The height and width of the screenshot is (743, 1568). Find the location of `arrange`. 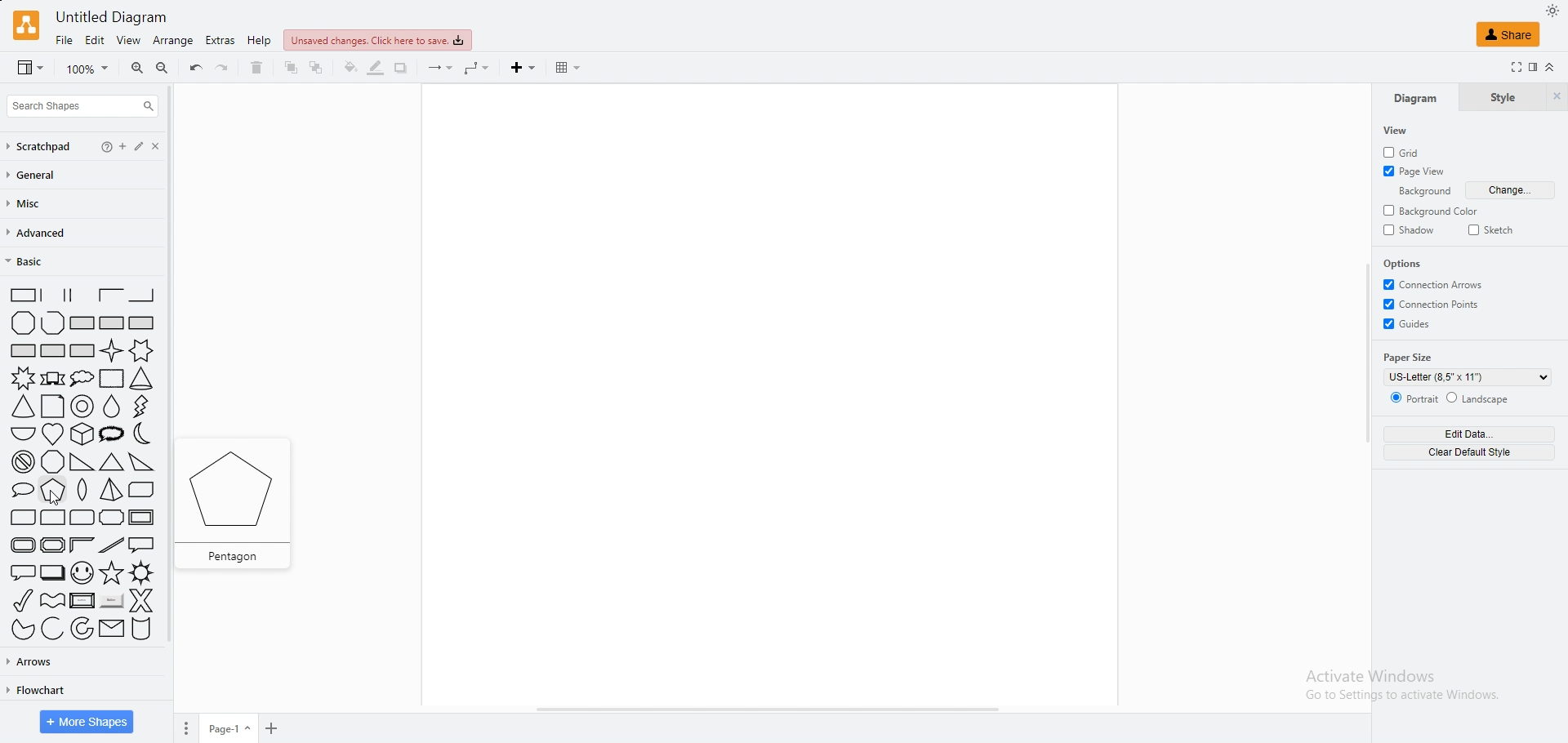

arrange is located at coordinates (173, 40).